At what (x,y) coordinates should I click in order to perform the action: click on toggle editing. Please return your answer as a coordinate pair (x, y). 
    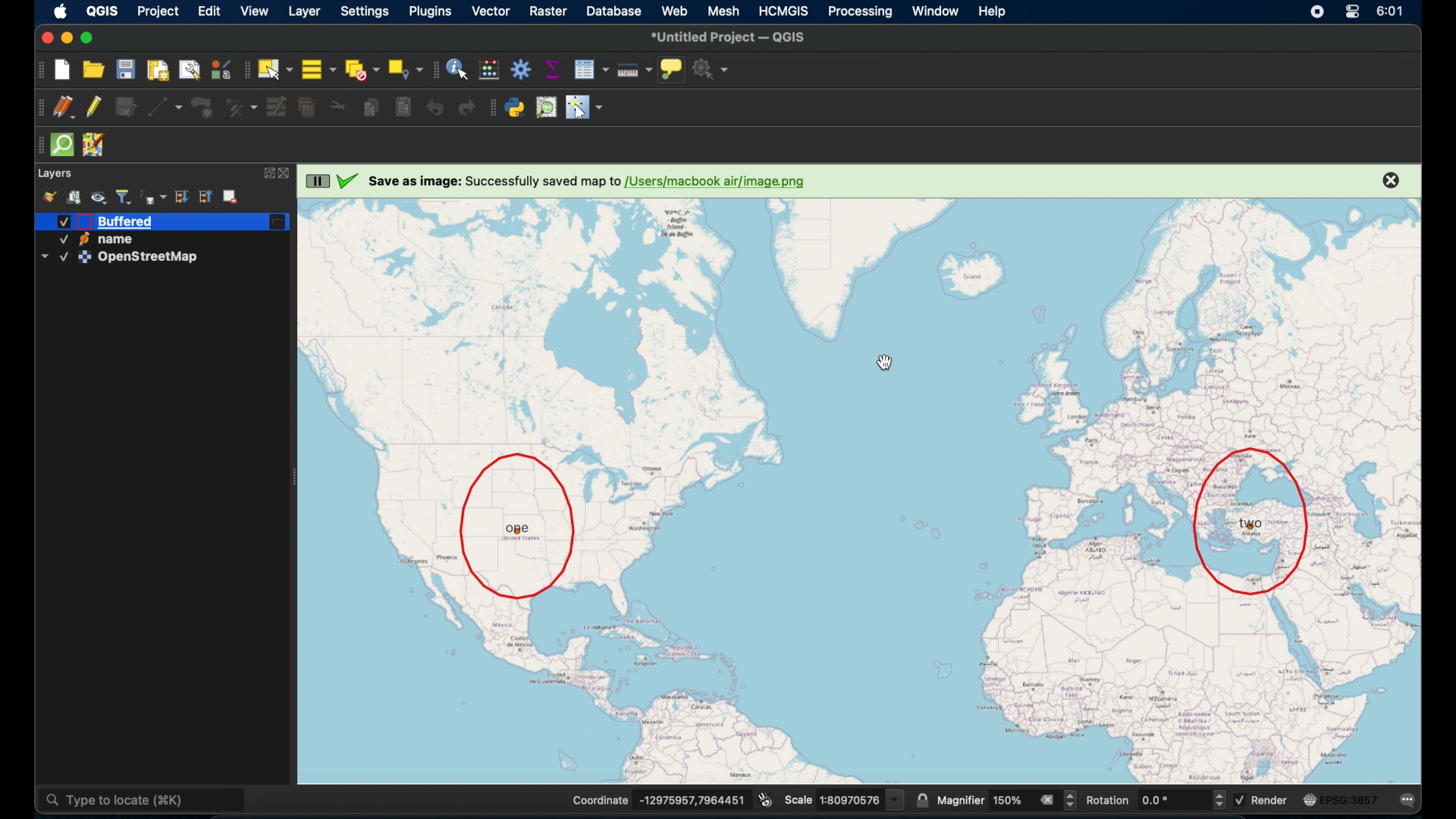
    Looking at the image, I should click on (93, 106).